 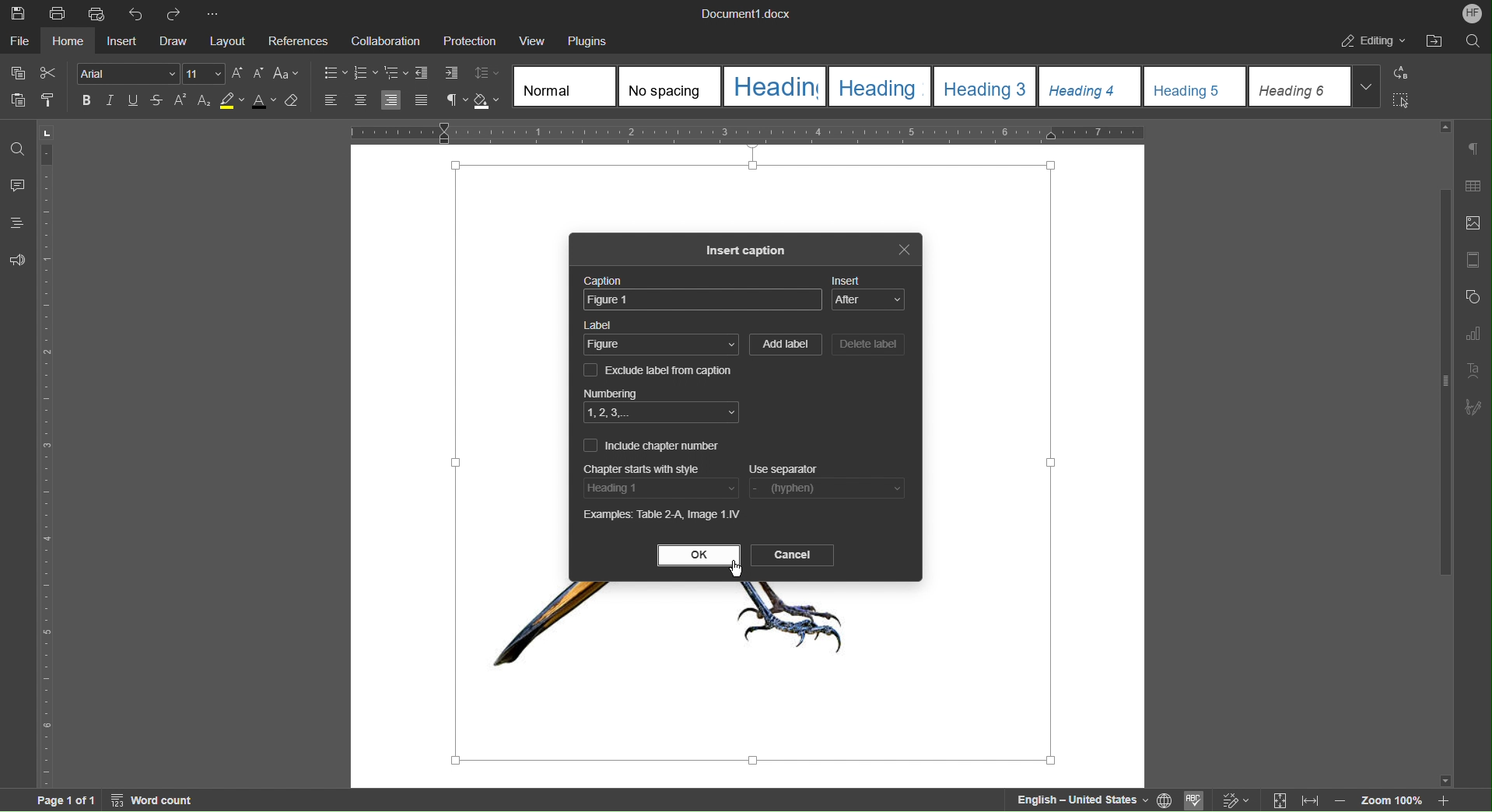 What do you see at coordinates (110, 100) in the screenshot?
I see `Italic` at bounding box center [110, 100].